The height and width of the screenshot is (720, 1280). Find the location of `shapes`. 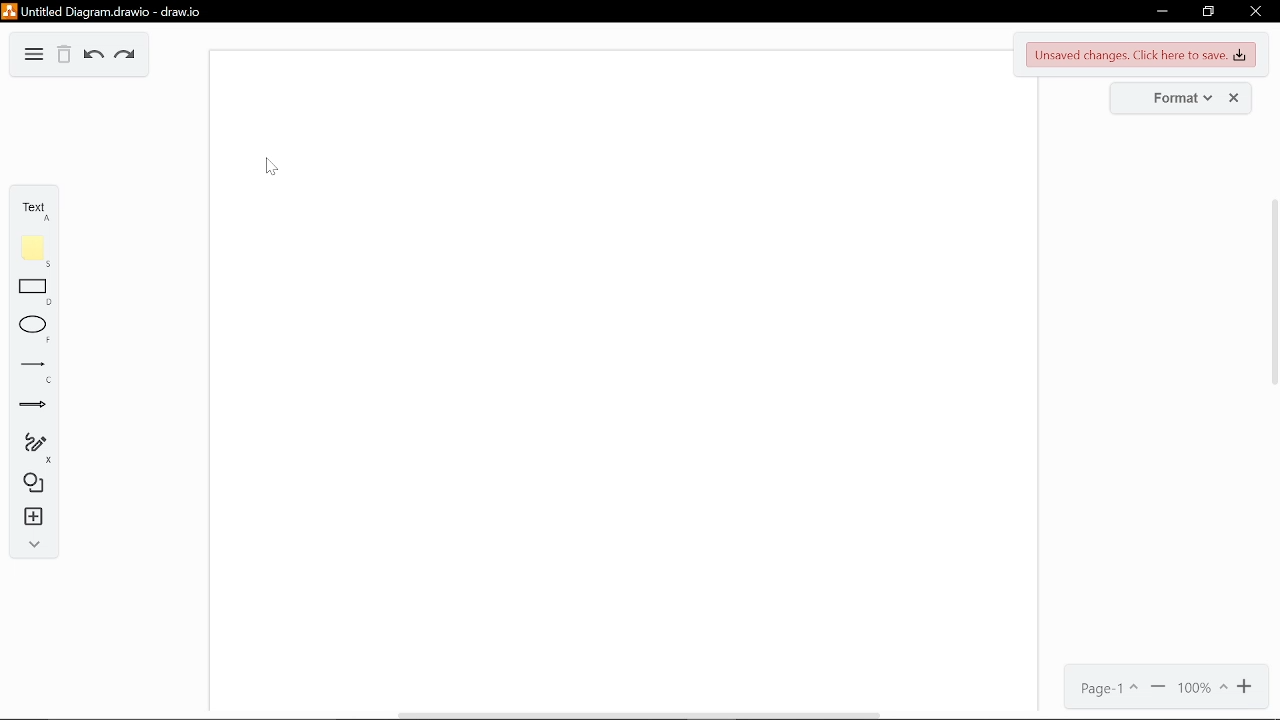

shapes is located at coordinates (28, 482).